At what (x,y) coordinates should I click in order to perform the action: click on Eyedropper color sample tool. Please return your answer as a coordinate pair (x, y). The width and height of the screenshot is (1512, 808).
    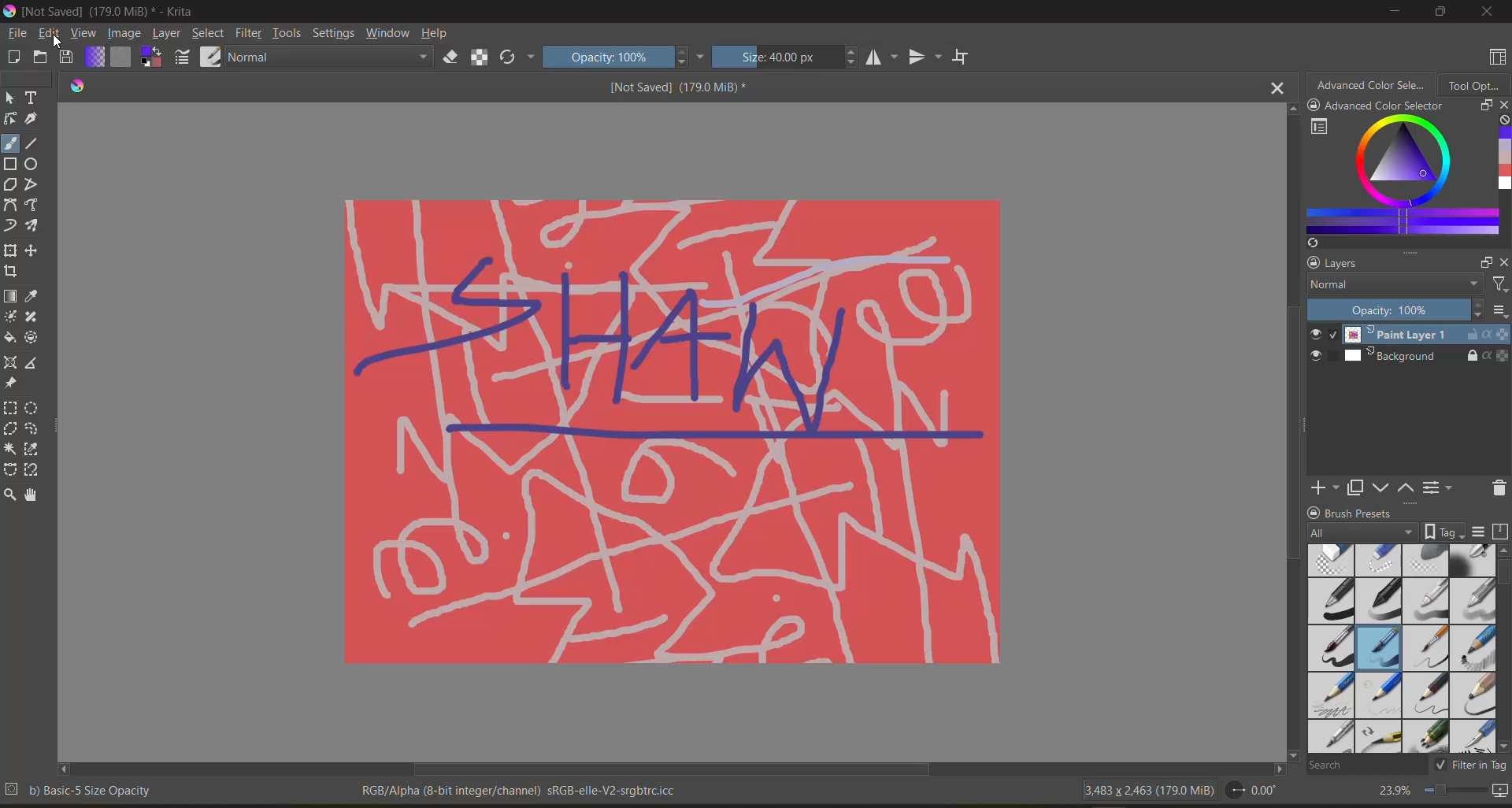
    Looking at the image, I should click on (35, 296).